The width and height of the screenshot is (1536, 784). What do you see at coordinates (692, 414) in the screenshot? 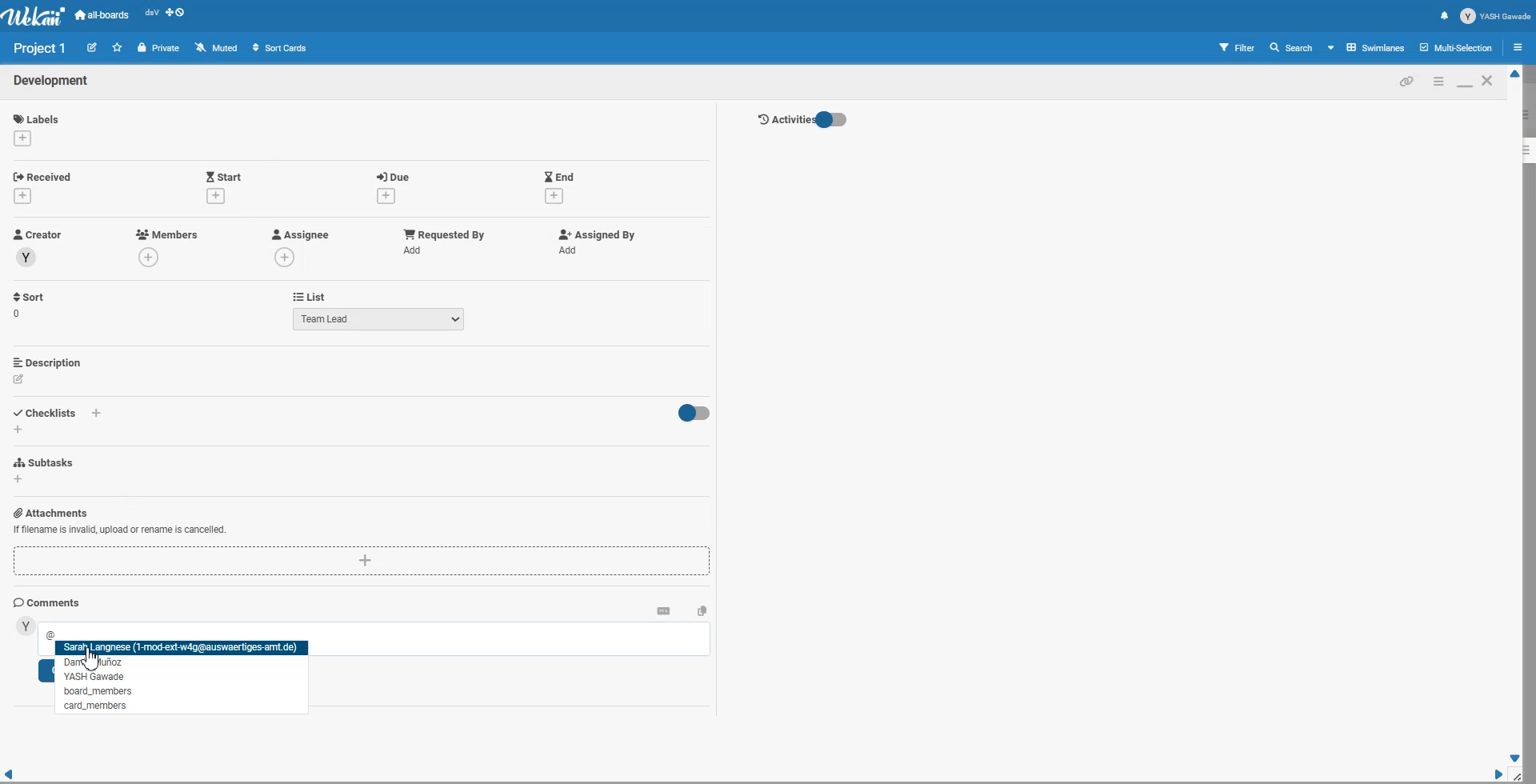
I see `Toggle` at bounding box center [692, 414].